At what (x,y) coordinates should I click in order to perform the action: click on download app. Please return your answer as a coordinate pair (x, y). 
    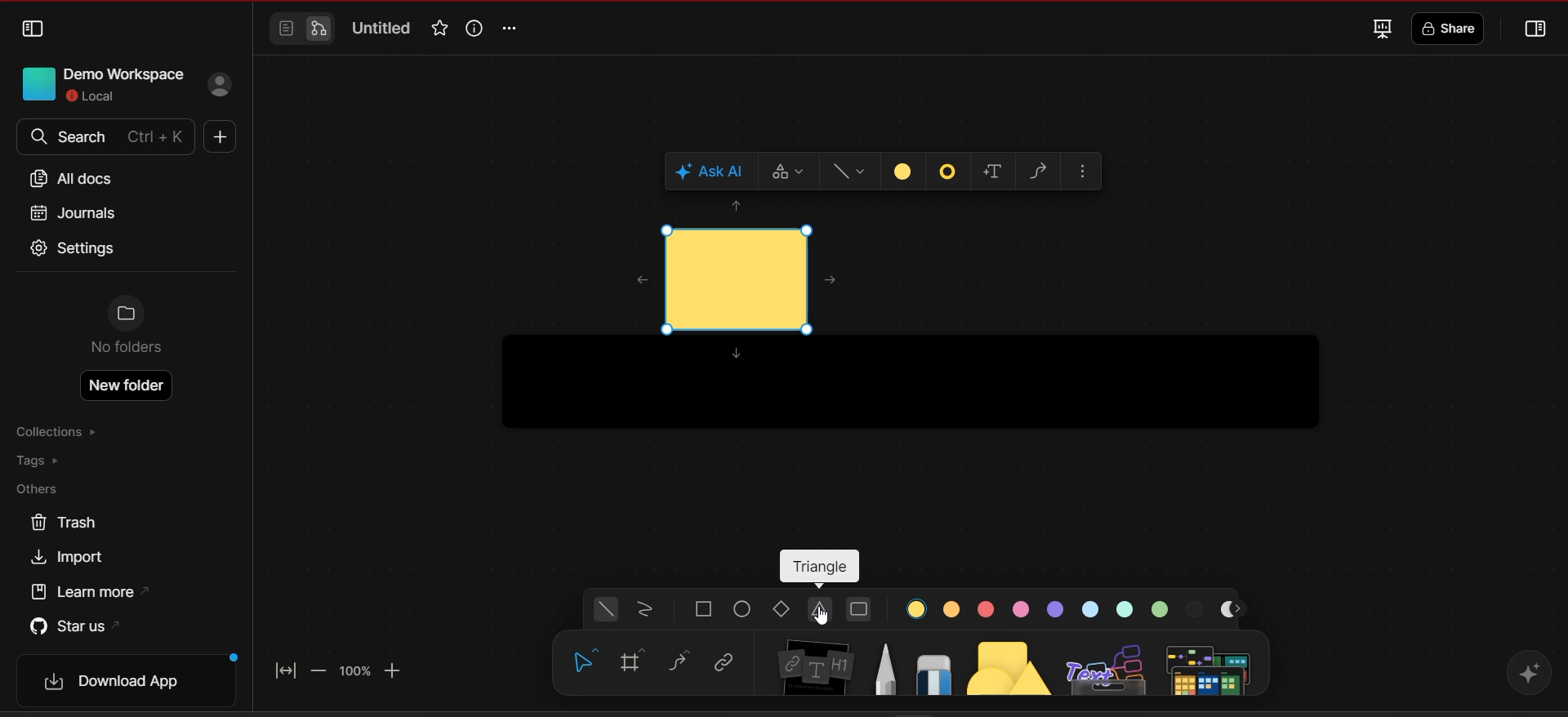
    Looking at the image, I should click on (132, 681).